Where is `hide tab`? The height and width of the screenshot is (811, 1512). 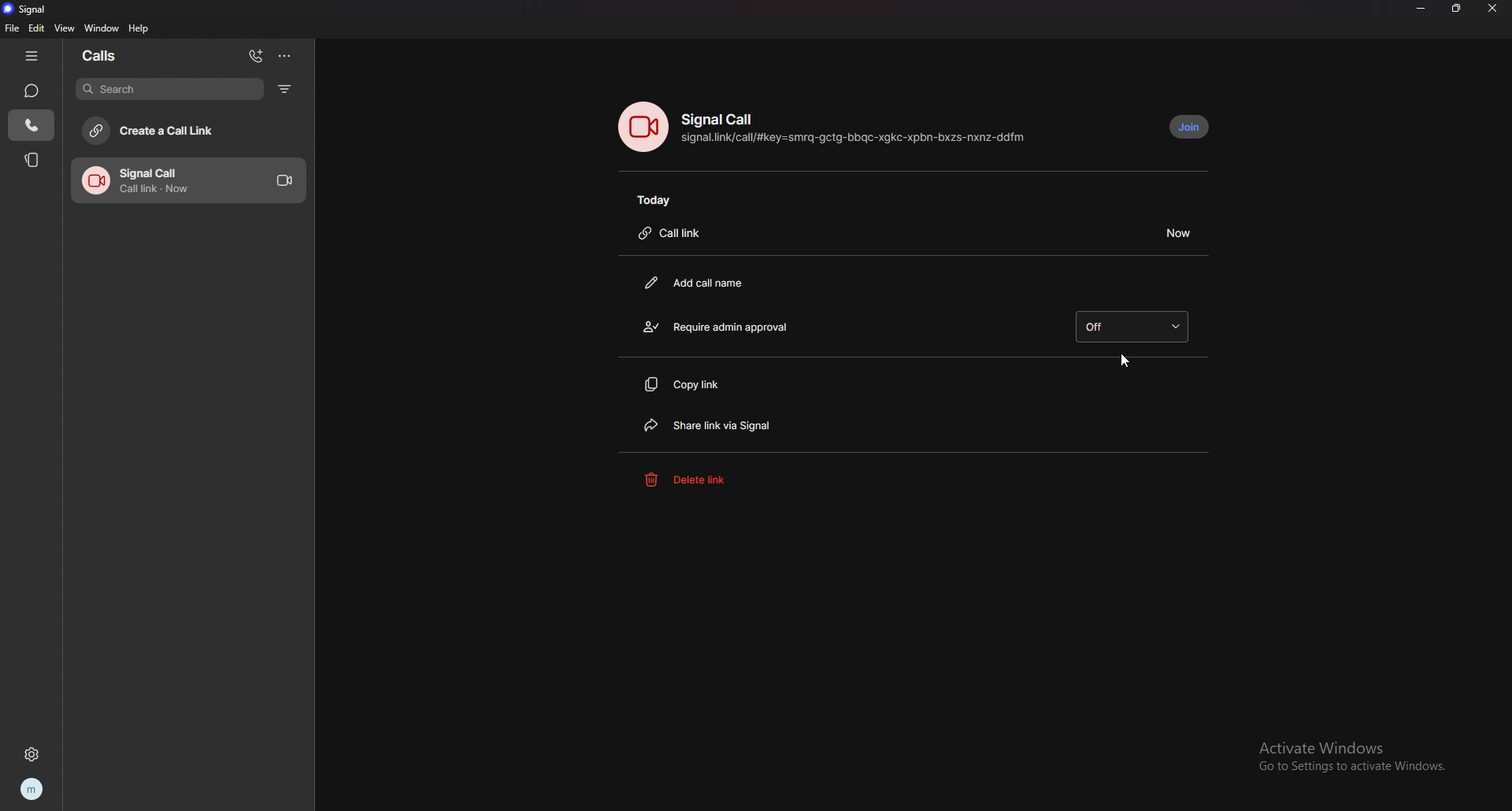
hide tab is located at coordinates (32, 55).